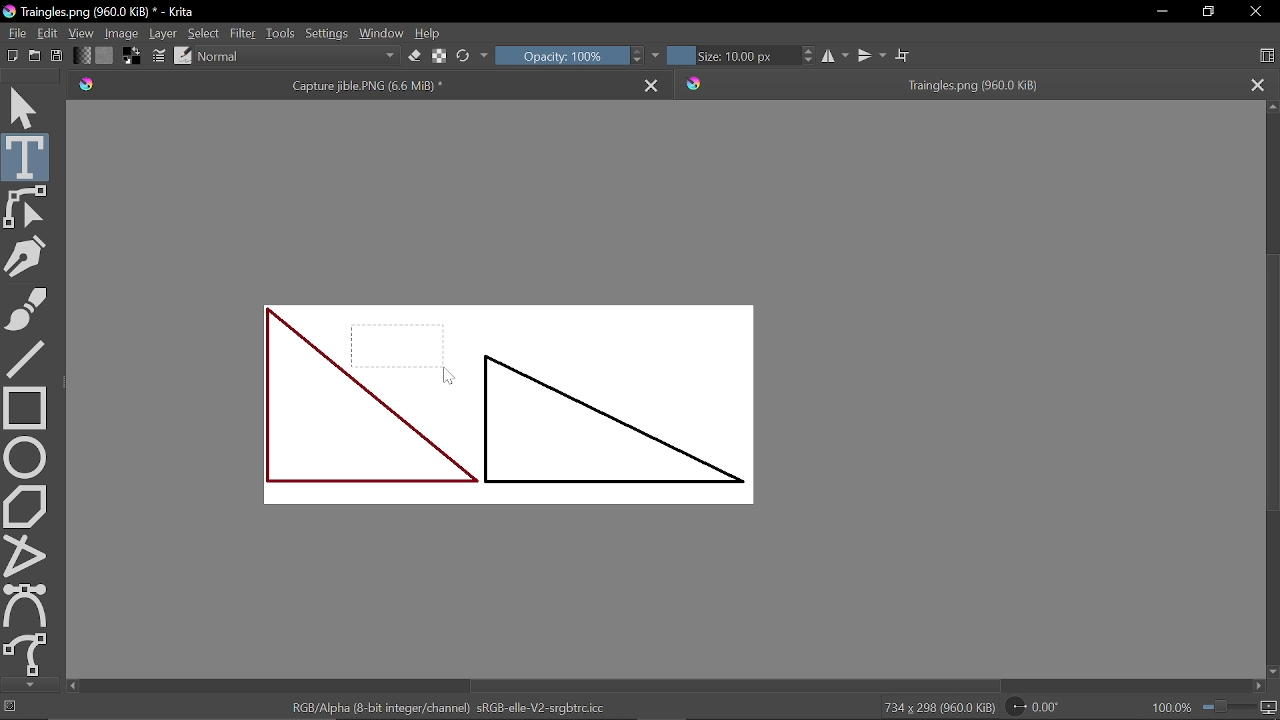 Image resolution: width=1280 pixels, height=720 pixels. What do you see at coordinates (939, 709) in the screenshot?
I see `734 * 298 (960.0 Kib)` at bounding box center [939, 709].